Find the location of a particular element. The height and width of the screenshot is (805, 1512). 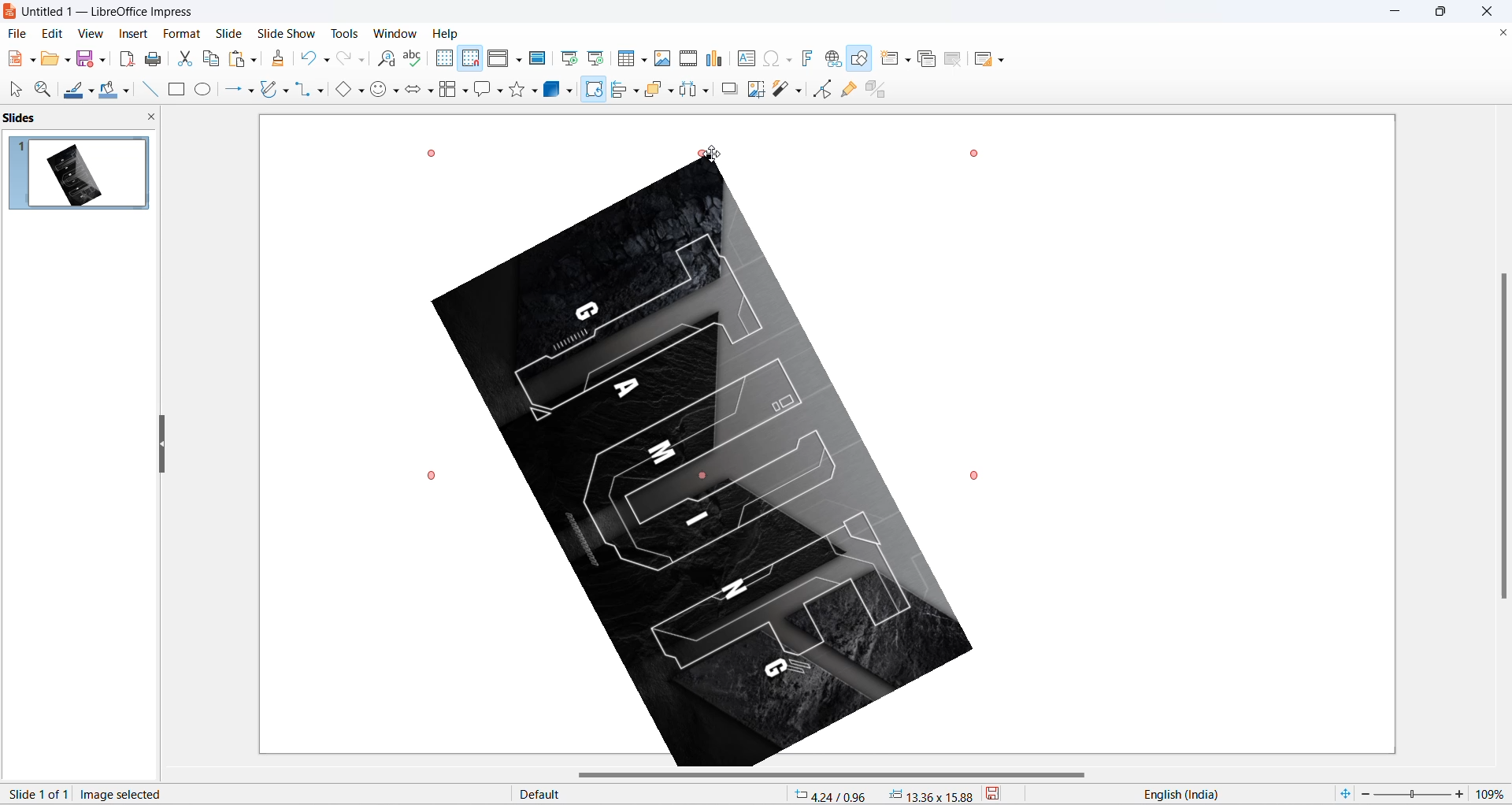

cut is located at coordinates (187, 58).